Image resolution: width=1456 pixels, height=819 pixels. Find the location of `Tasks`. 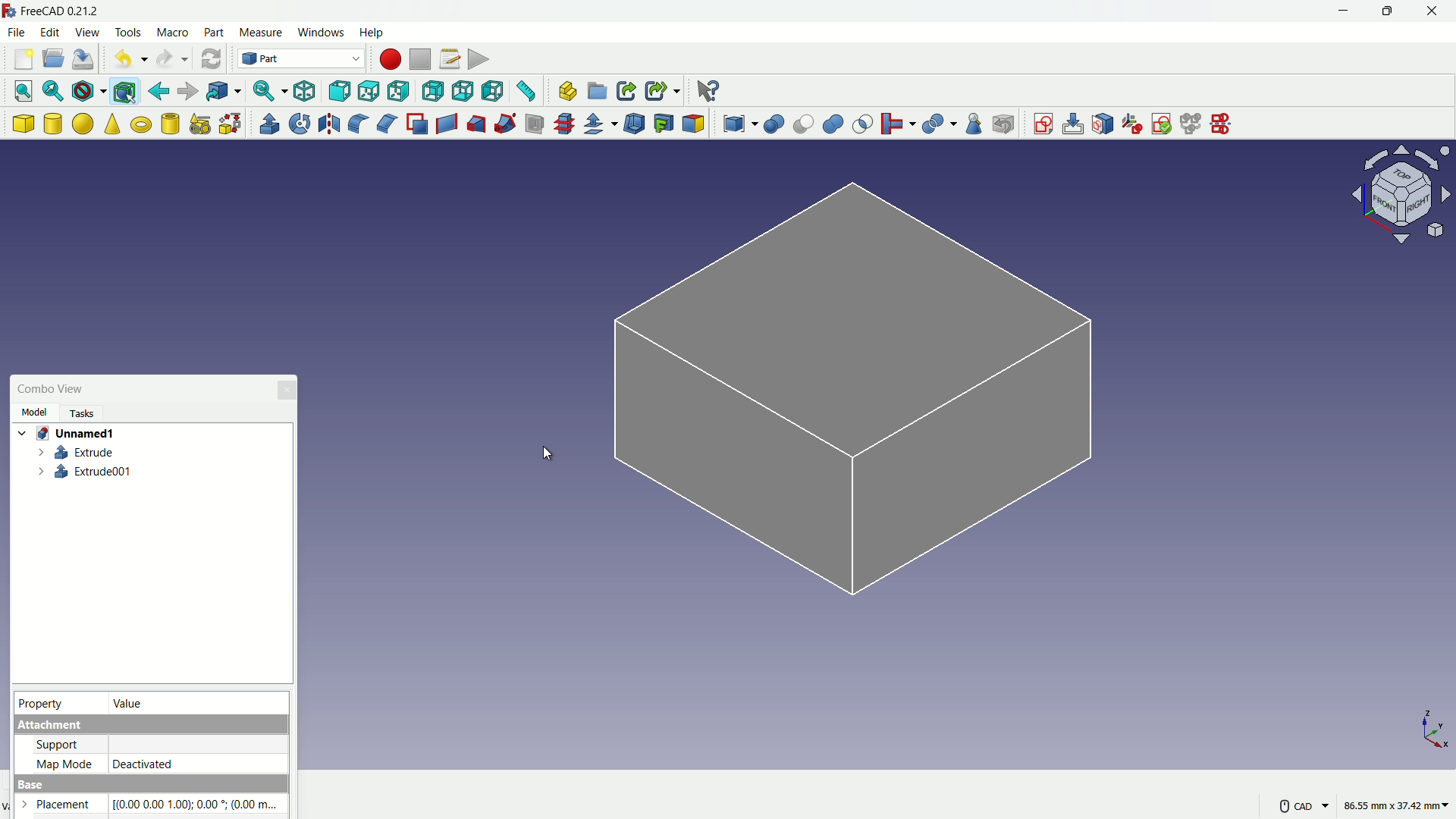

Tasks is located at coordinates (80, 413).